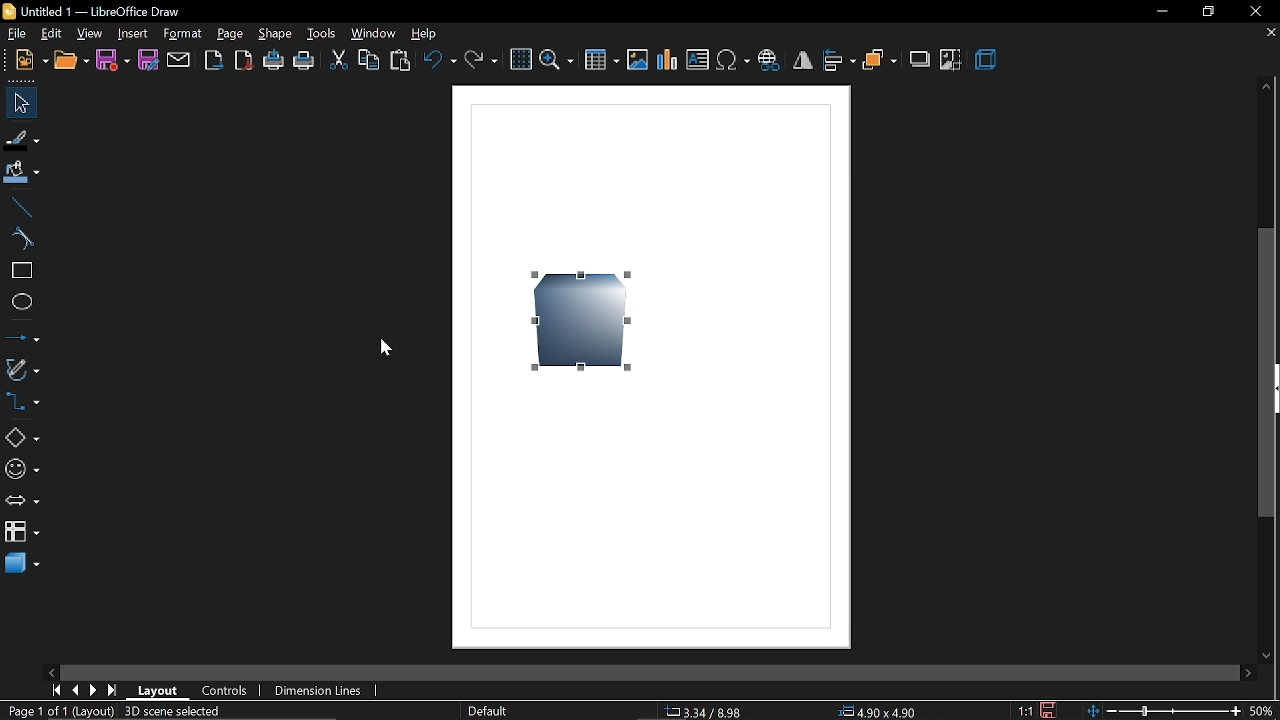  What do you see at coordinates (16, 34) in the screenshot?
I see `file` at bounding box center [16, 34].